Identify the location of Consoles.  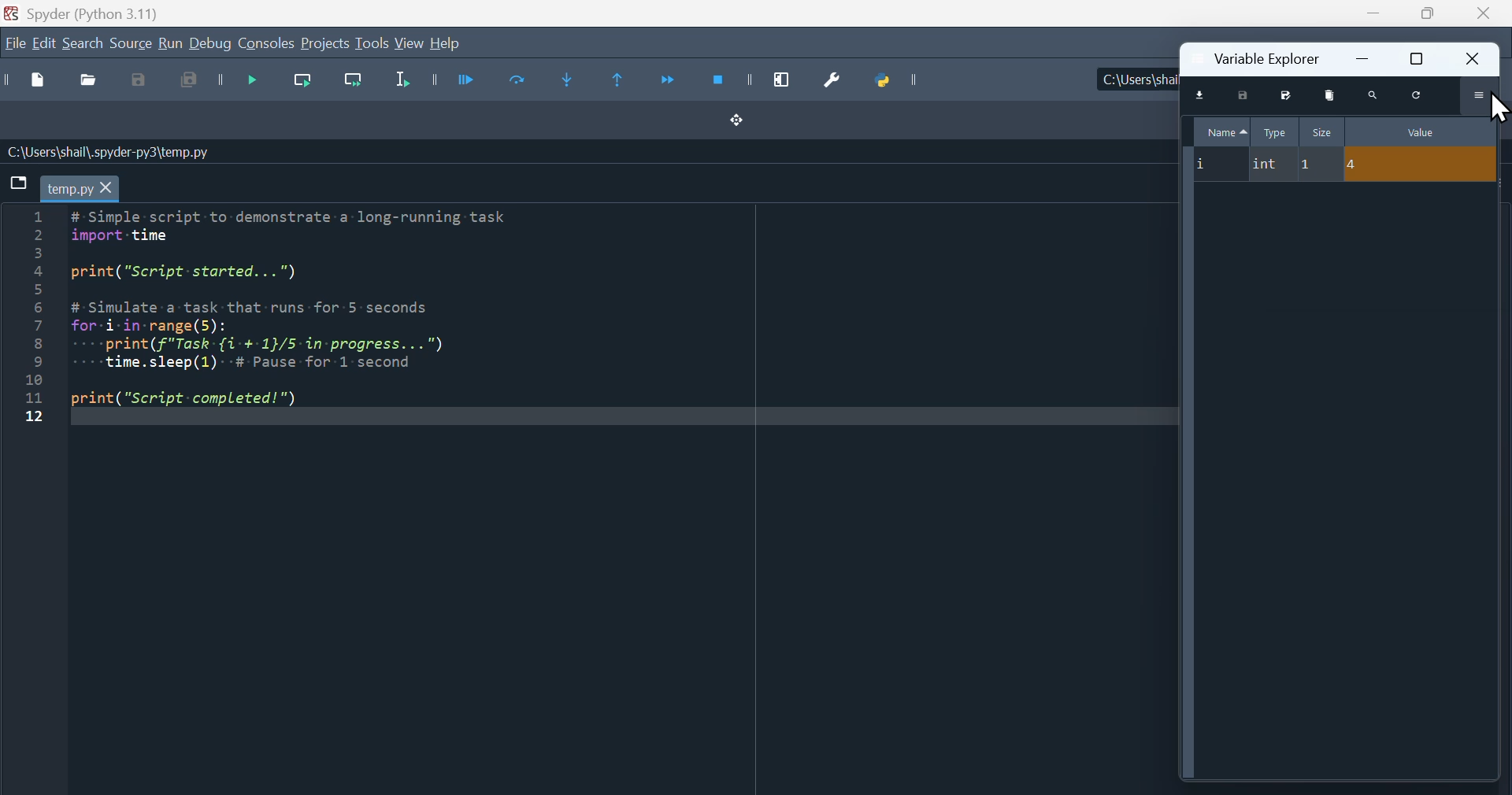
(266, 44).